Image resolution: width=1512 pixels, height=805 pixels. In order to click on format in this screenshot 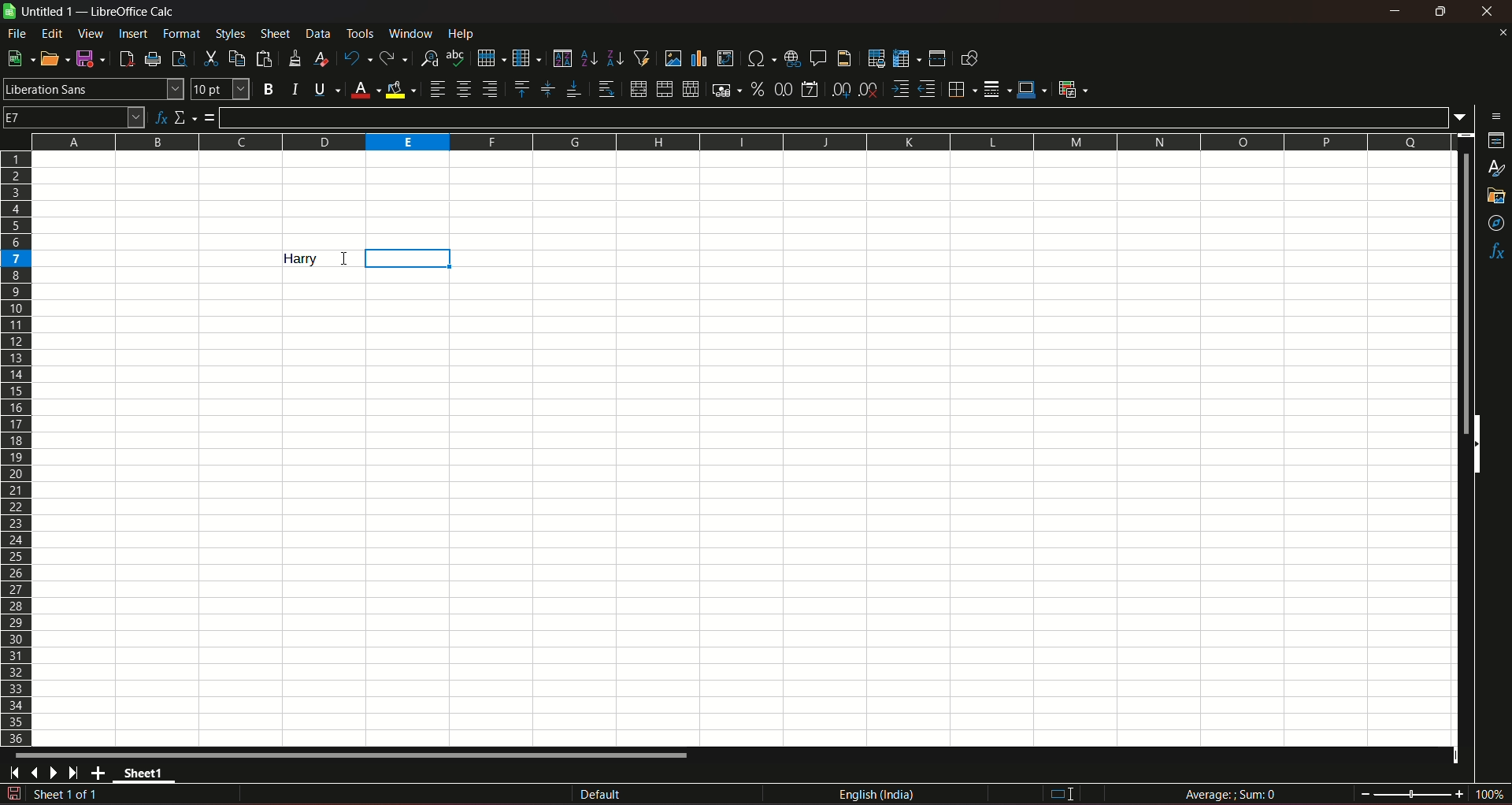, I will do `click(183, 33)`.